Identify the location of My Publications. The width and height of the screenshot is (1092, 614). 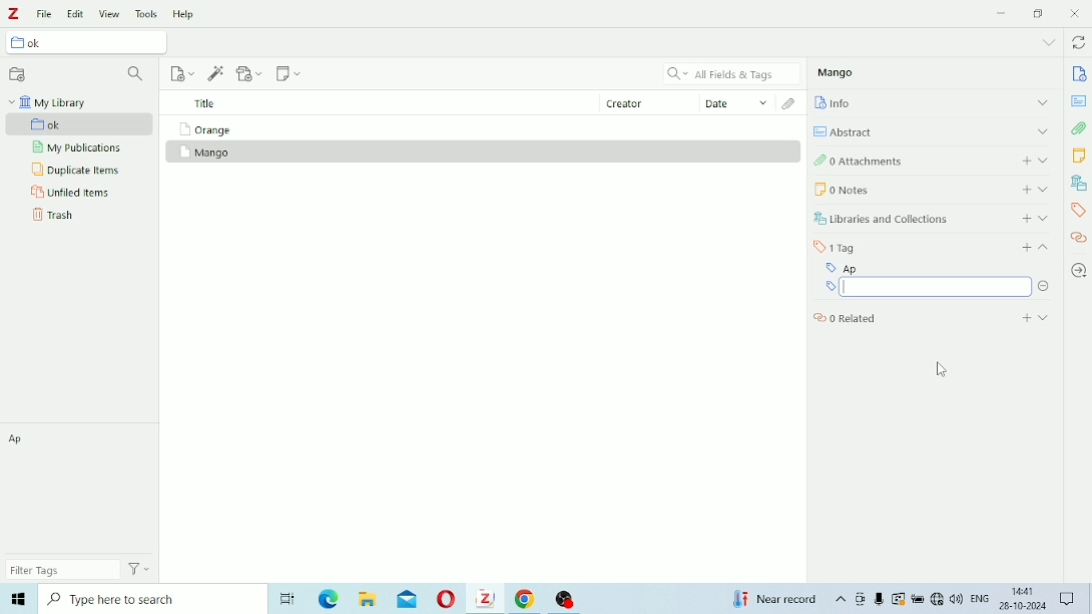
(78, 148).